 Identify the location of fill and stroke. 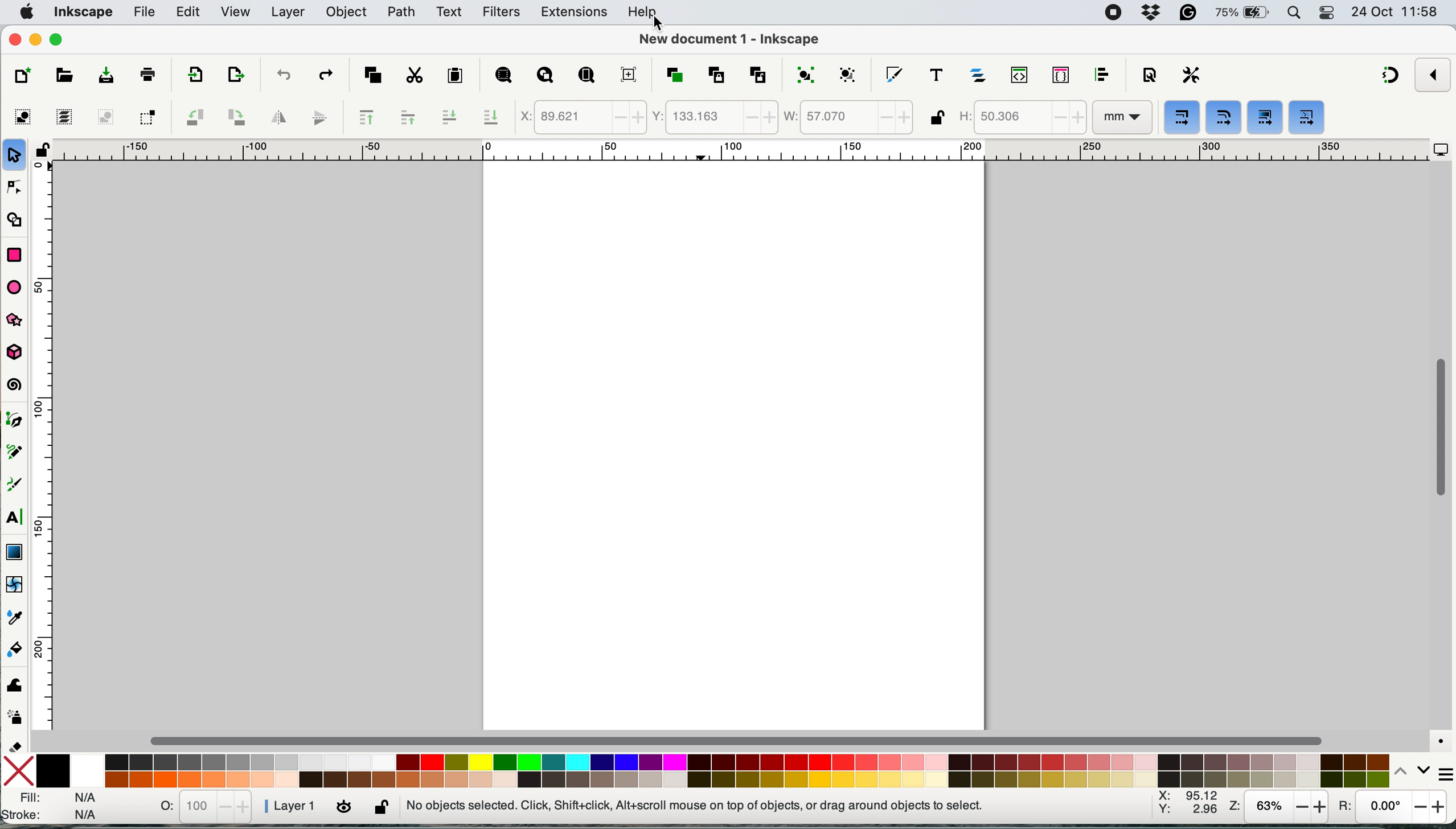
(889, 73).